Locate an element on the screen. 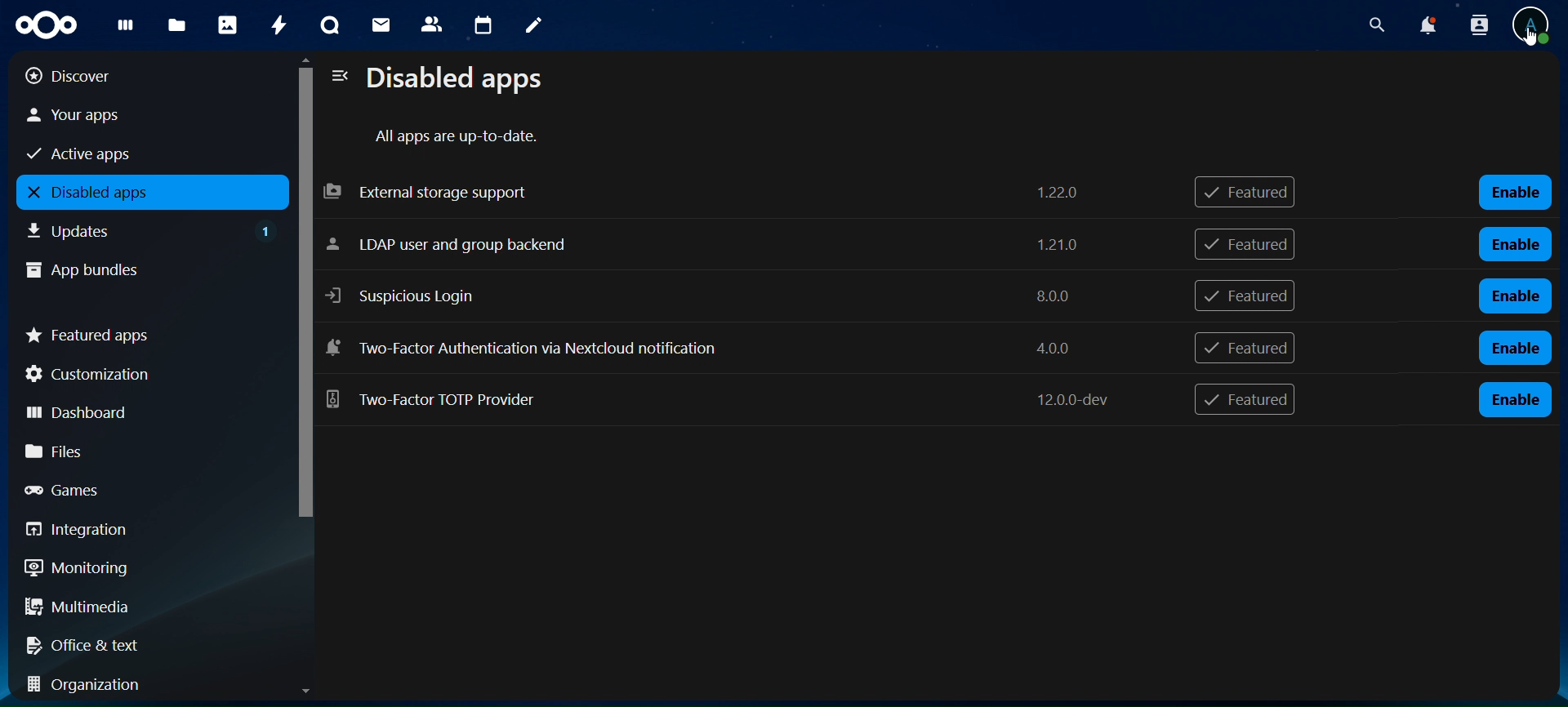 This screenshot has height=707, width=1568. organization is located at coordinates (147, 684).